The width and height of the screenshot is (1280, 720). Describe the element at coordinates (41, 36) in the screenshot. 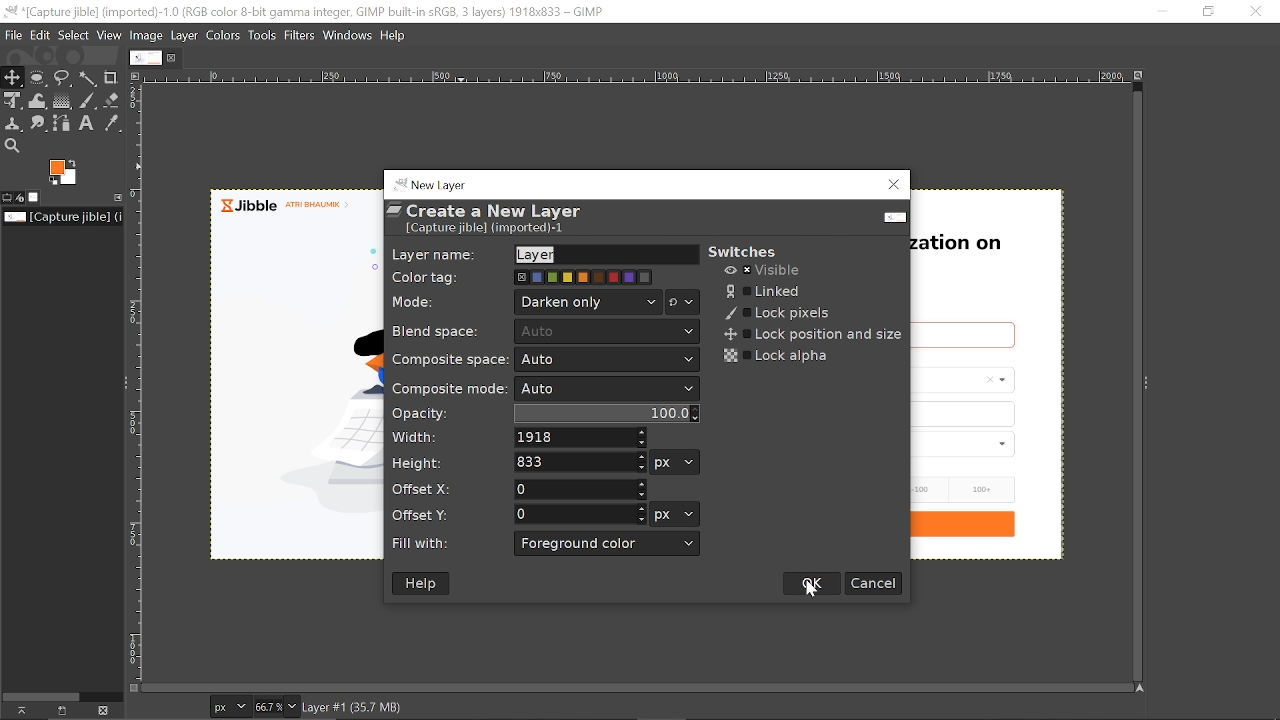

I see `Edit` at that location.